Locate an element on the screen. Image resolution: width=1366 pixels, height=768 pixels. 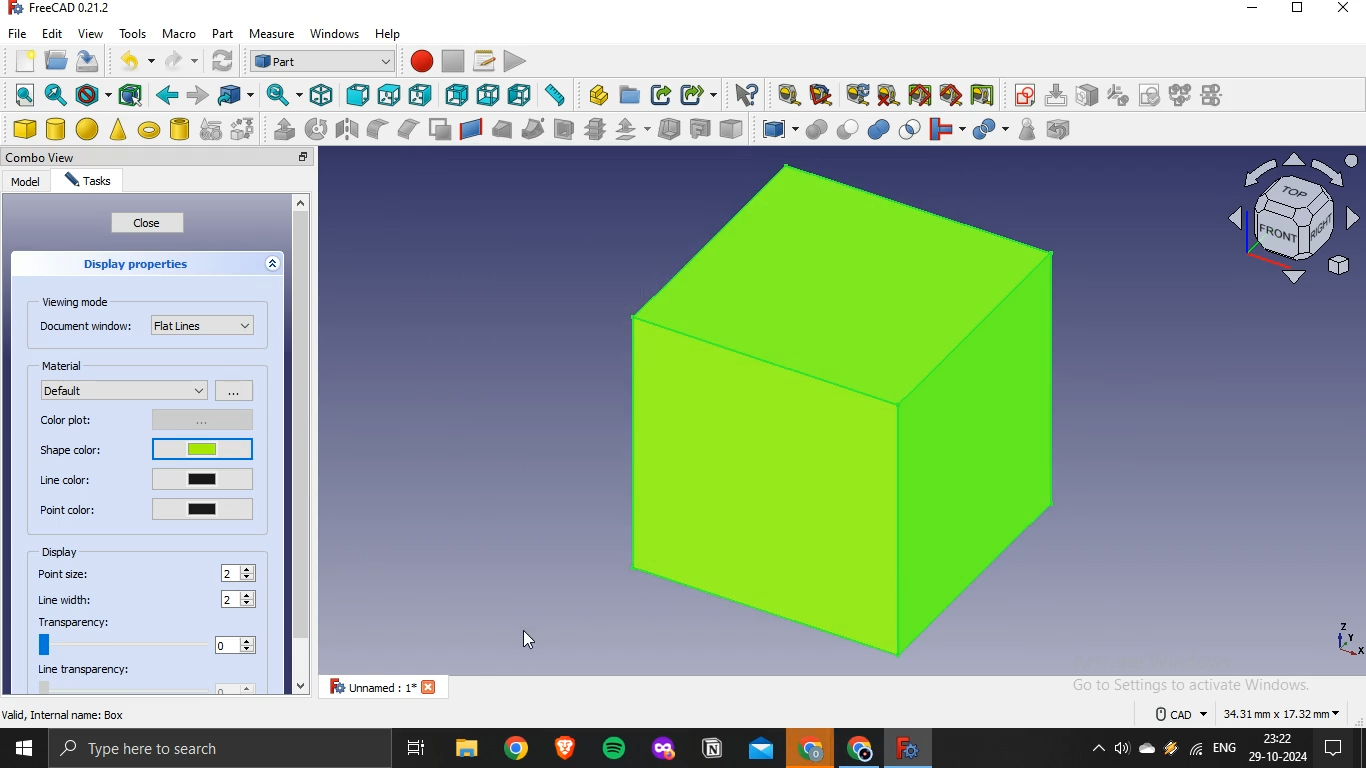
stop macro recording is located at coordinates (453, 61).